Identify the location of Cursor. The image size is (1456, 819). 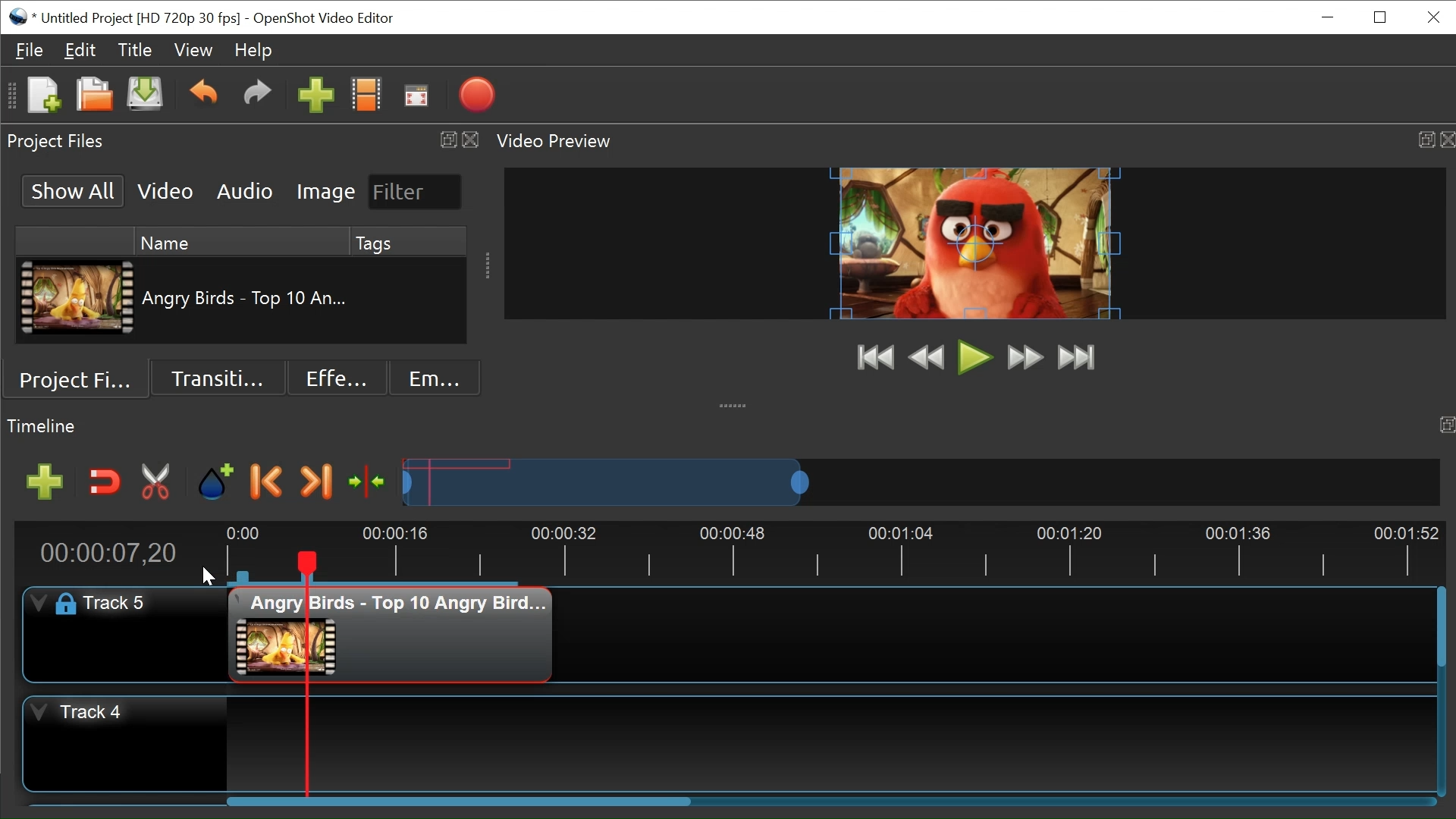
(166, 625).